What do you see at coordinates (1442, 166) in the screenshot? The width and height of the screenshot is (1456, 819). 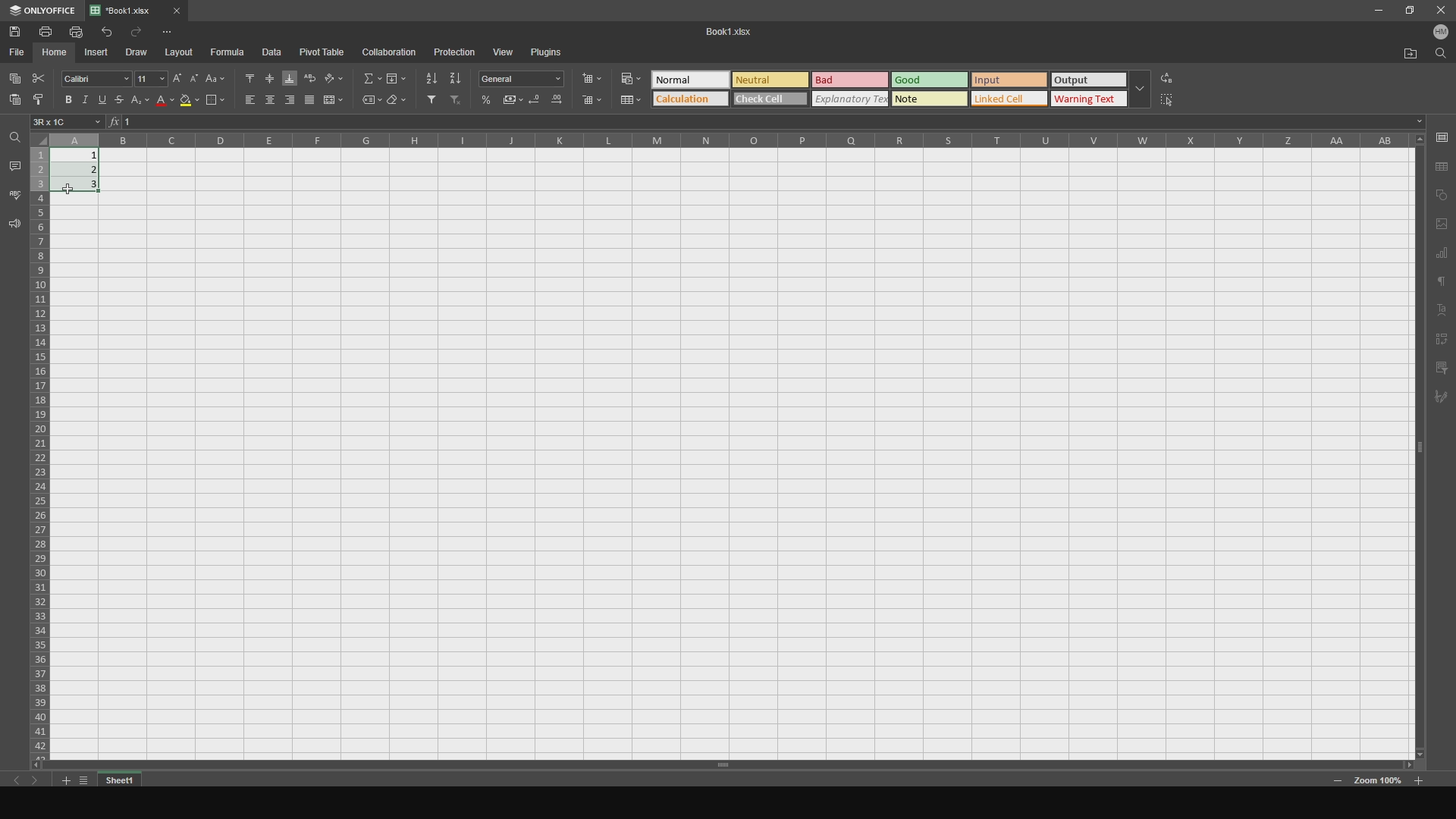 I see `save as` at bounding box center [1442, 166].